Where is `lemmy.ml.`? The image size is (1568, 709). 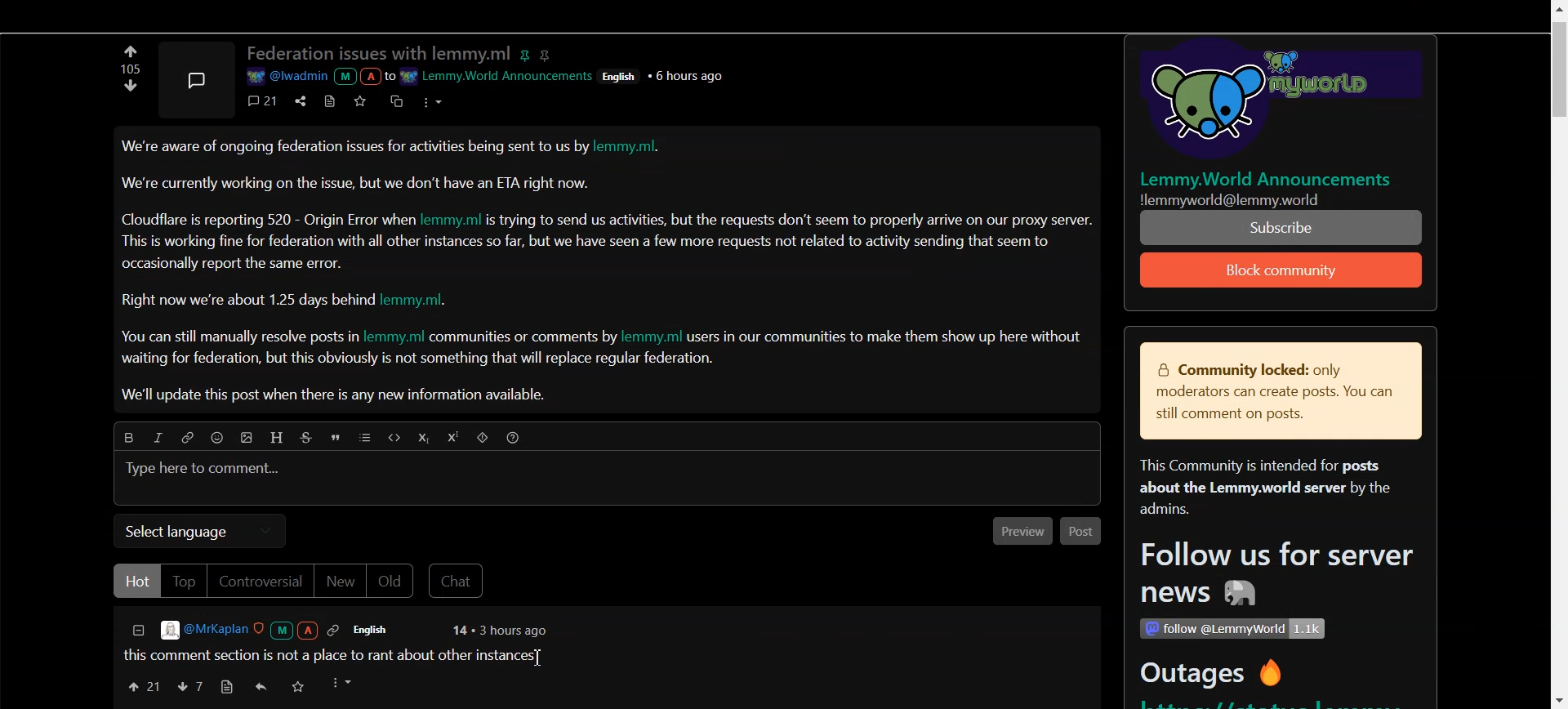 lemmy.ml. is located at coordinates (635, 149).